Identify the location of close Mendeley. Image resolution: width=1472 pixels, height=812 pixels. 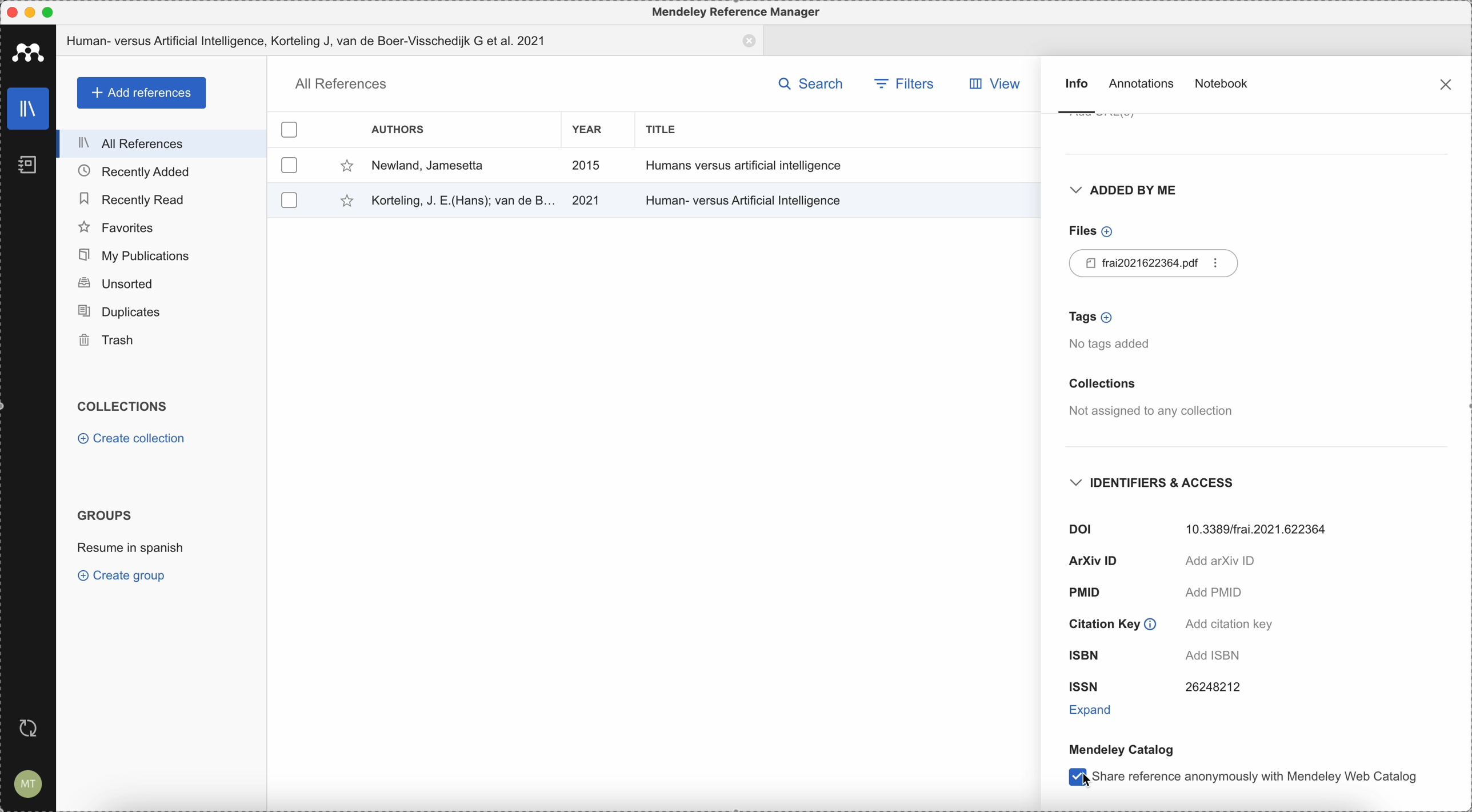
(11, 11).